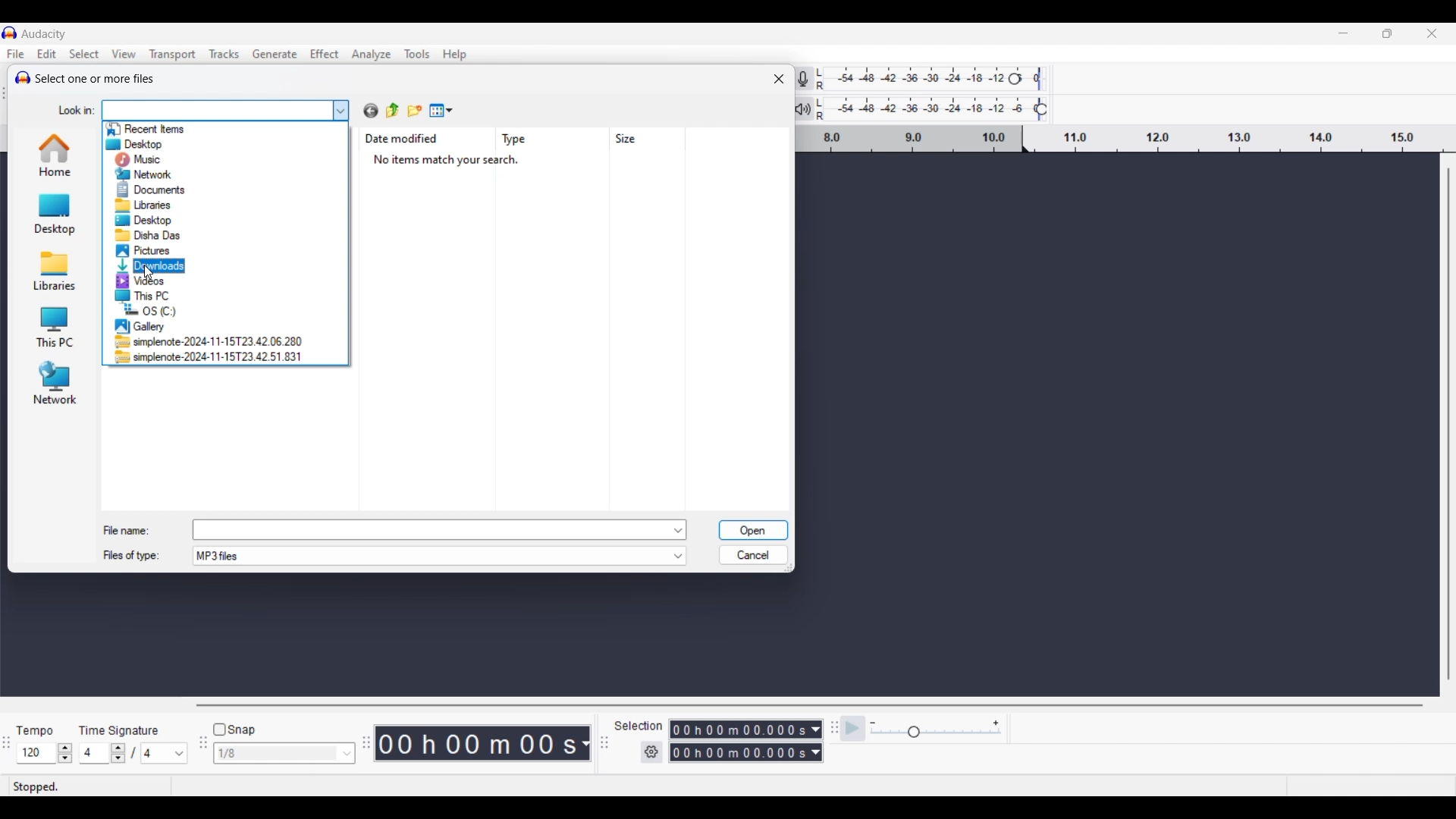 The image size is (1456, 819). I want to click on View menu, so click(124, 53).